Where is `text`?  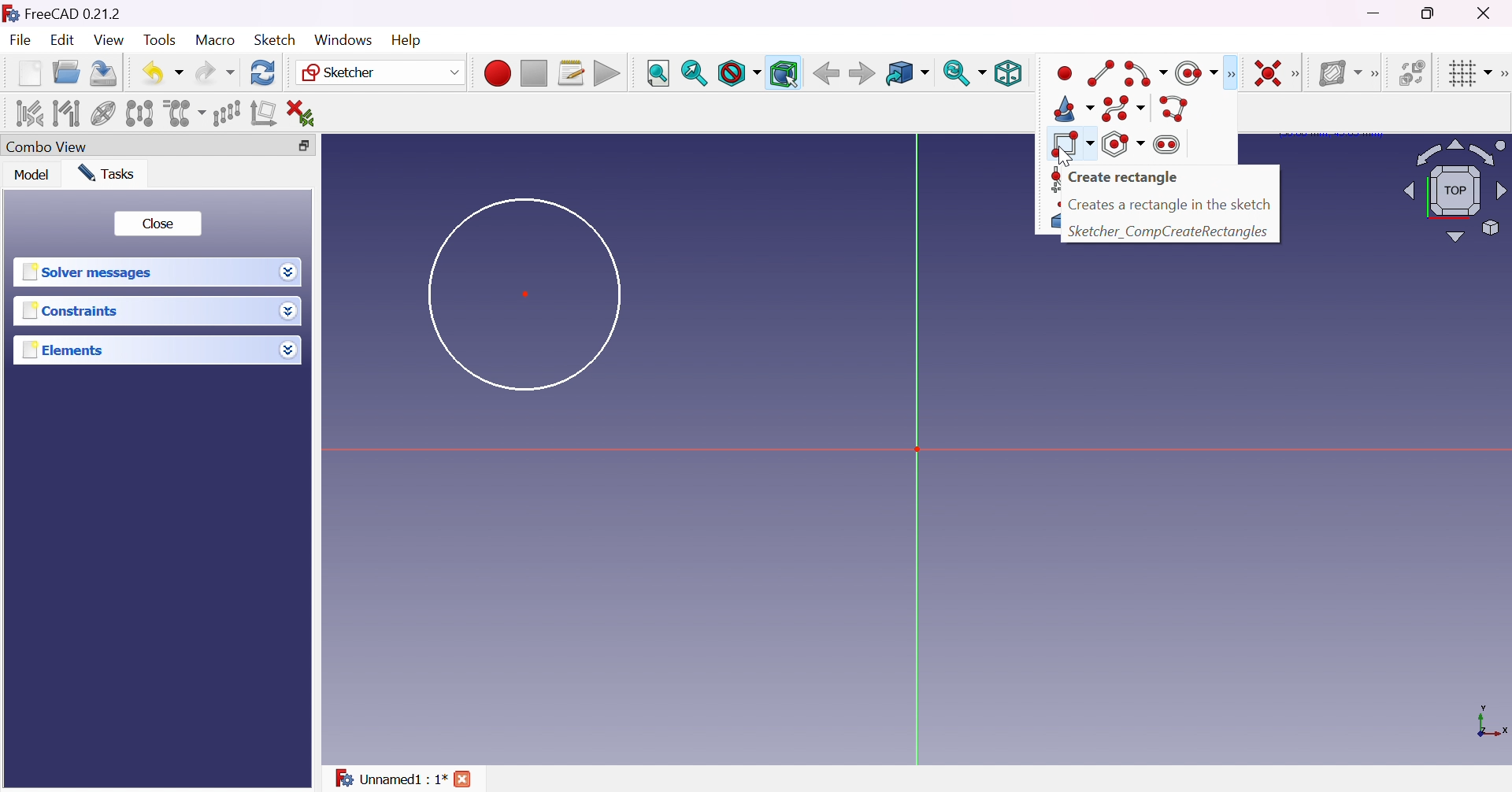 text is located at coordinates (1168, 204).